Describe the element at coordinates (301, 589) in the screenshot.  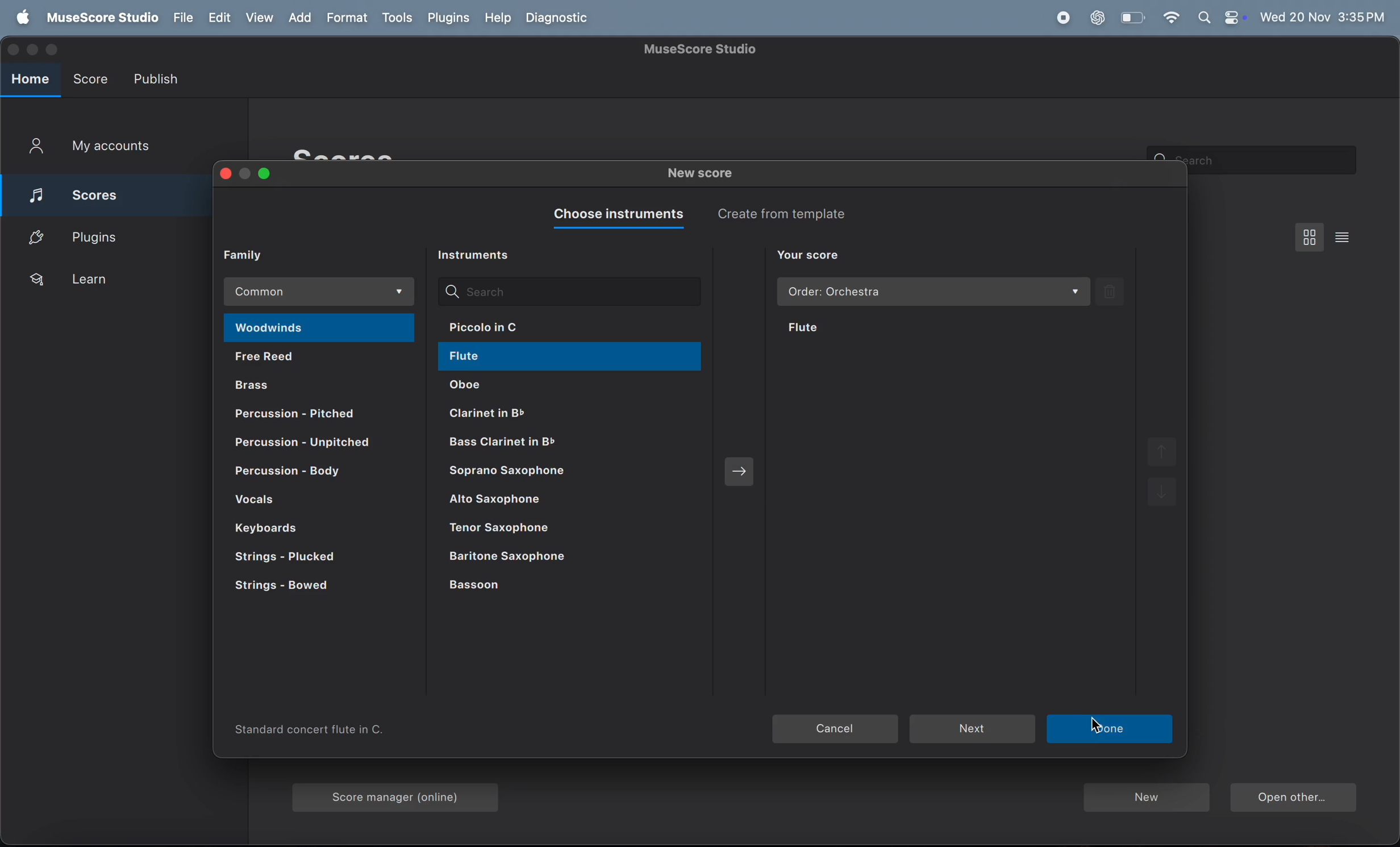
I see `strings bowed` at that location.